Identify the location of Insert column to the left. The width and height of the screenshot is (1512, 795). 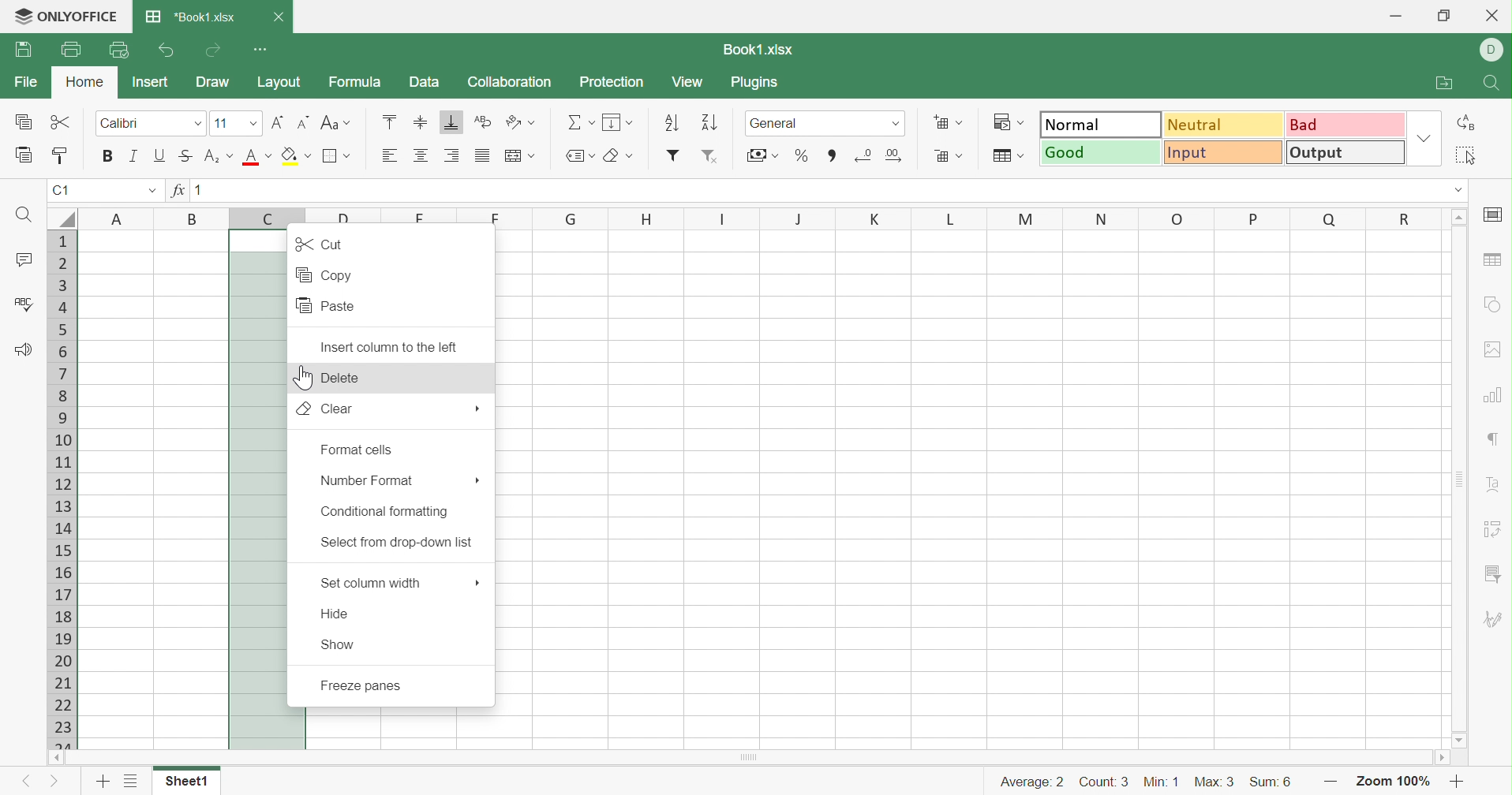
(387, 348).